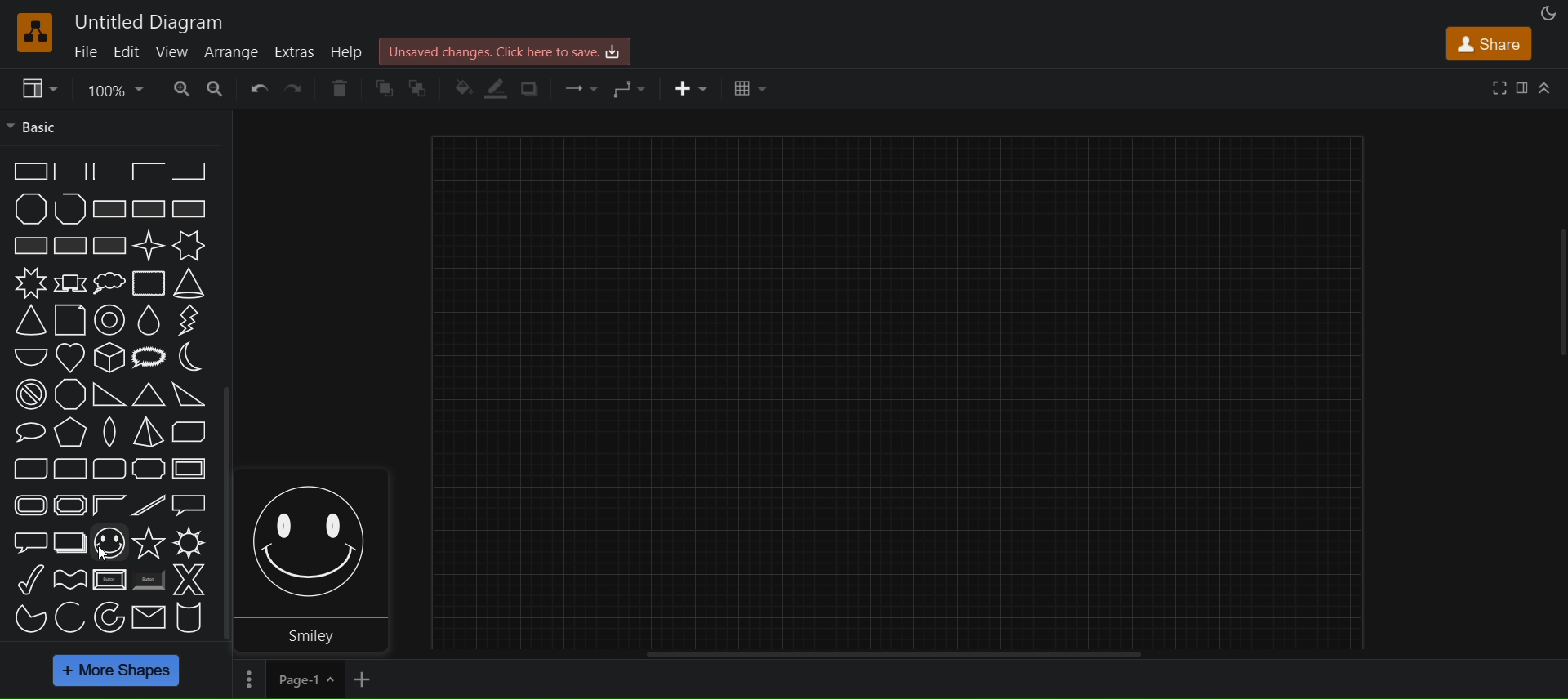 This screenshot has height=699, width=1568. I want to click on sun, so click(189, 544).